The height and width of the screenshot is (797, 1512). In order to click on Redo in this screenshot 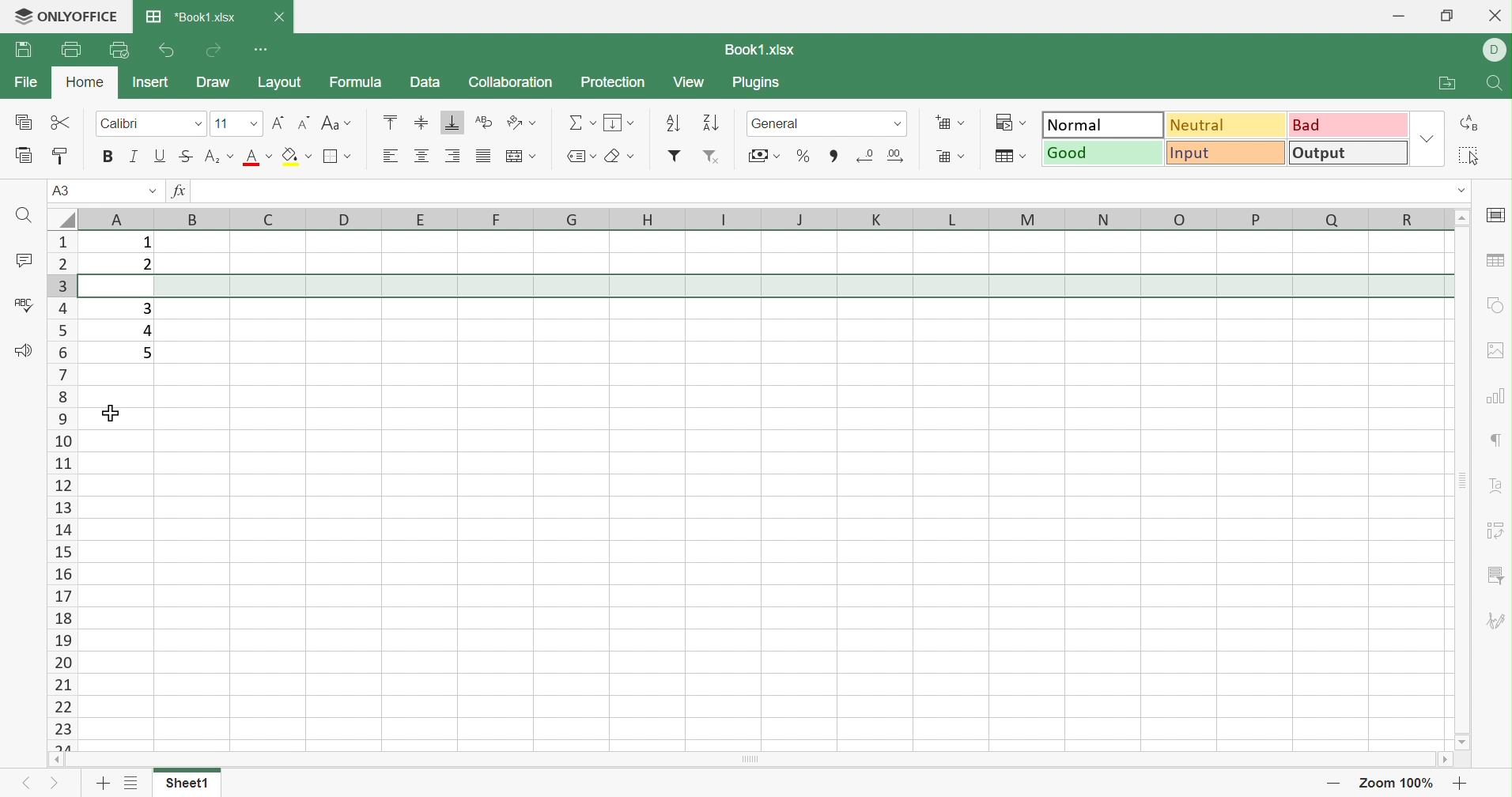, I will do `click(214, 50)`.